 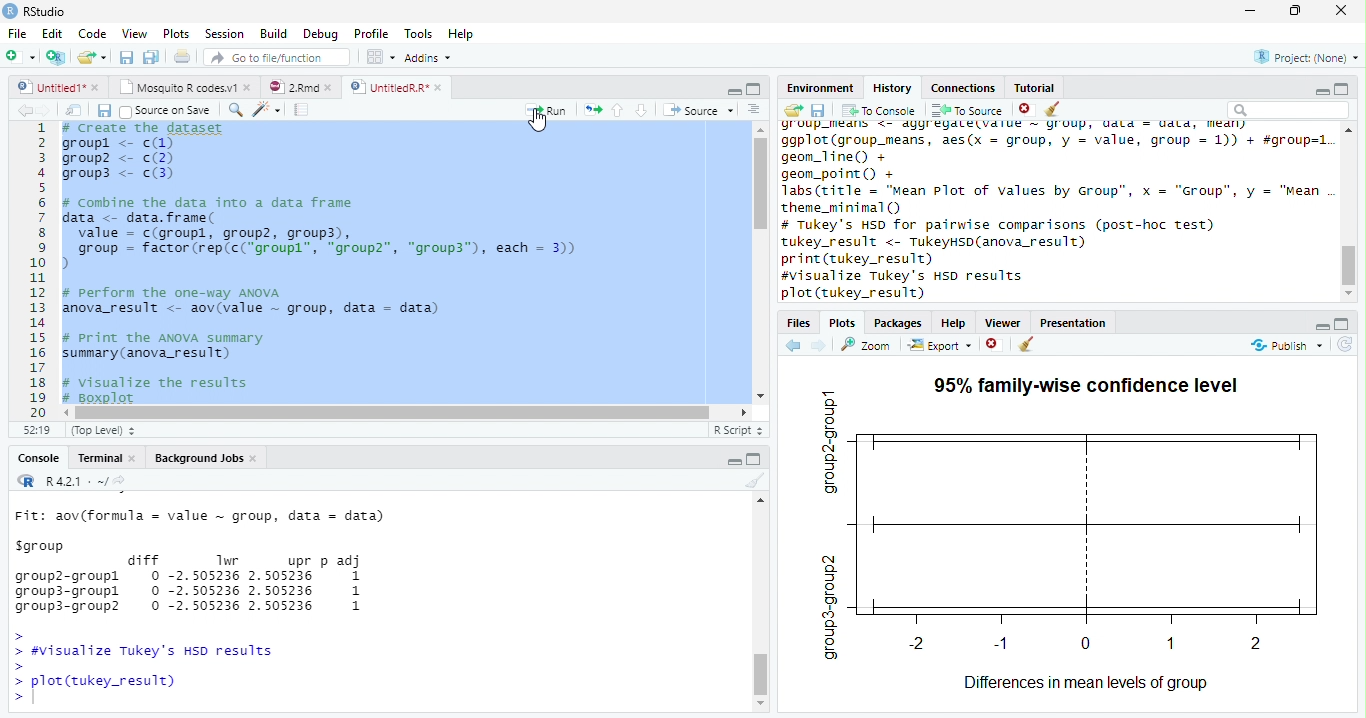 I want to click on Pages, so click(x=301, y=111).